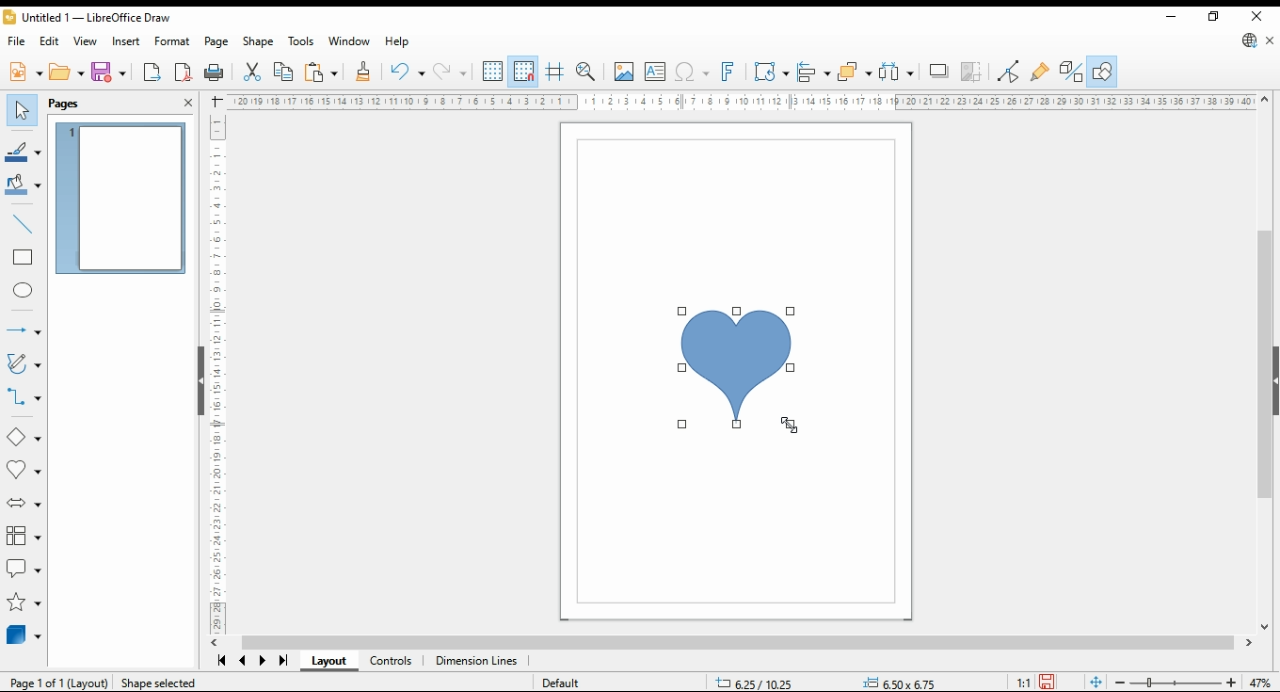  What do you see at coordinates (1260, 681) in the screenshot?
I see `zoom factor` at bounding box center [1260, 681].